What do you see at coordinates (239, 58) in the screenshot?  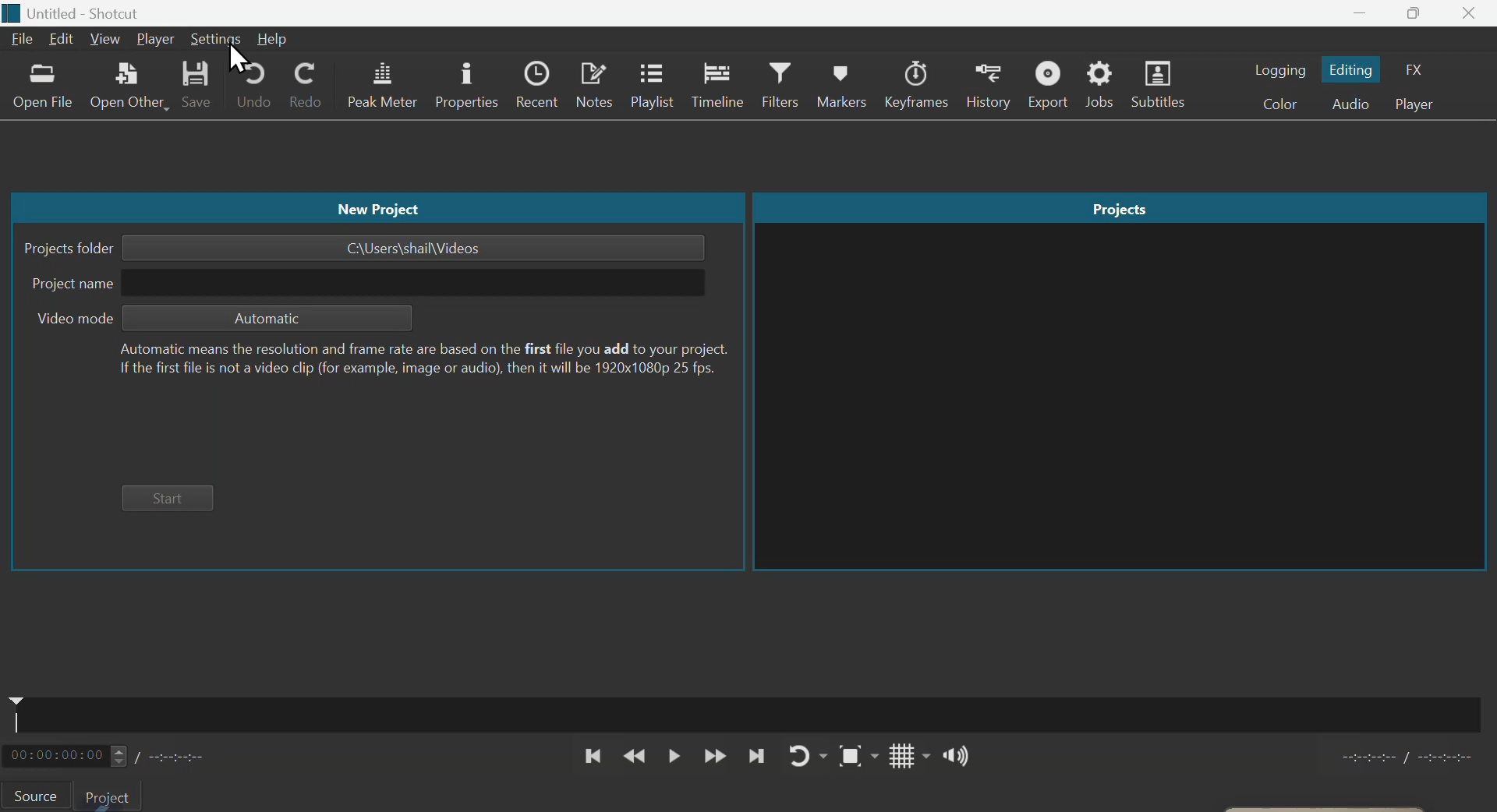 I see `Cursor` at bounding box center [239, 58].